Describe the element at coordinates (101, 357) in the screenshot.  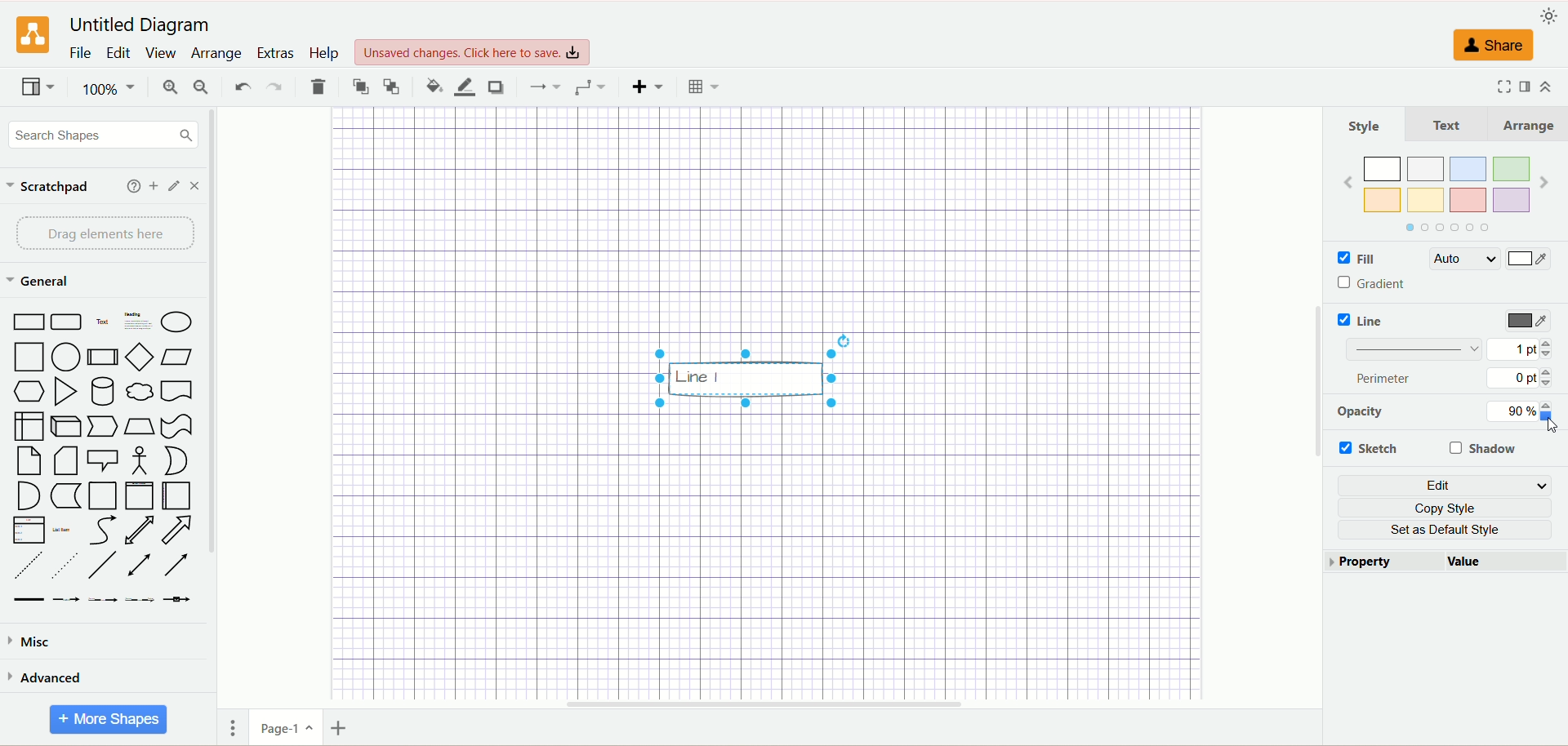
I see `Process` at that location.